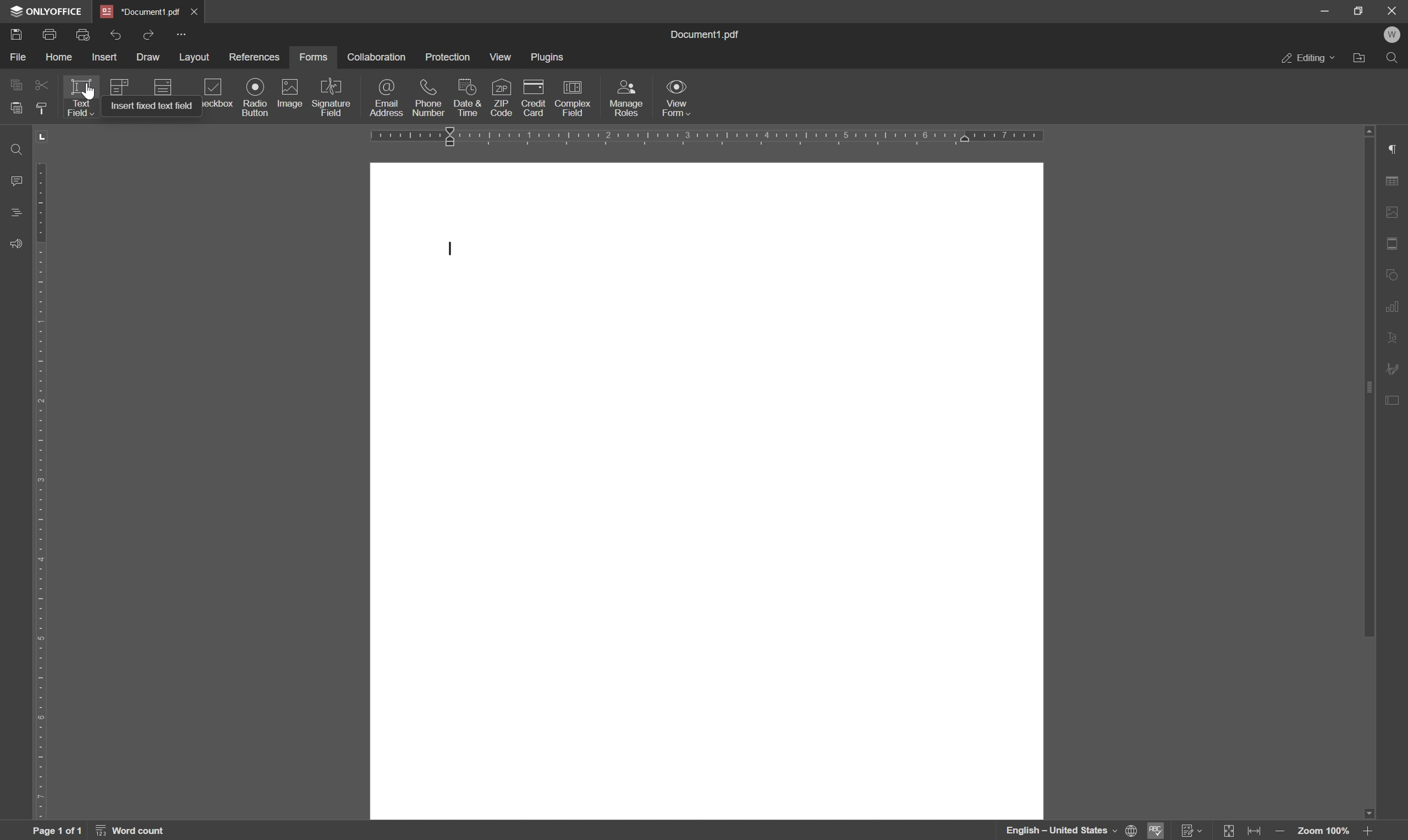 This screenshot has height=840, width=1408. Describe the element at coordinates (1394, 370) in the screenshot. I see `signature settings` at that location.